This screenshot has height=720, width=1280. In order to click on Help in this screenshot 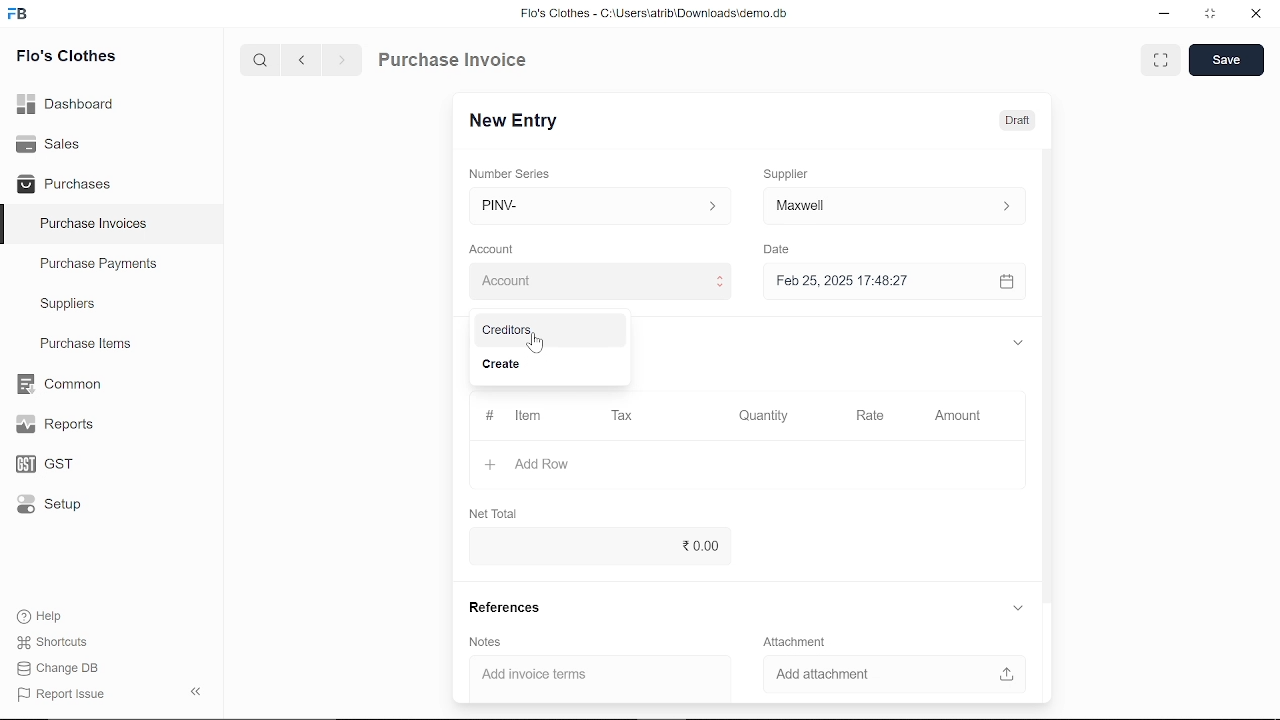, I will do `click(42, 616)`.